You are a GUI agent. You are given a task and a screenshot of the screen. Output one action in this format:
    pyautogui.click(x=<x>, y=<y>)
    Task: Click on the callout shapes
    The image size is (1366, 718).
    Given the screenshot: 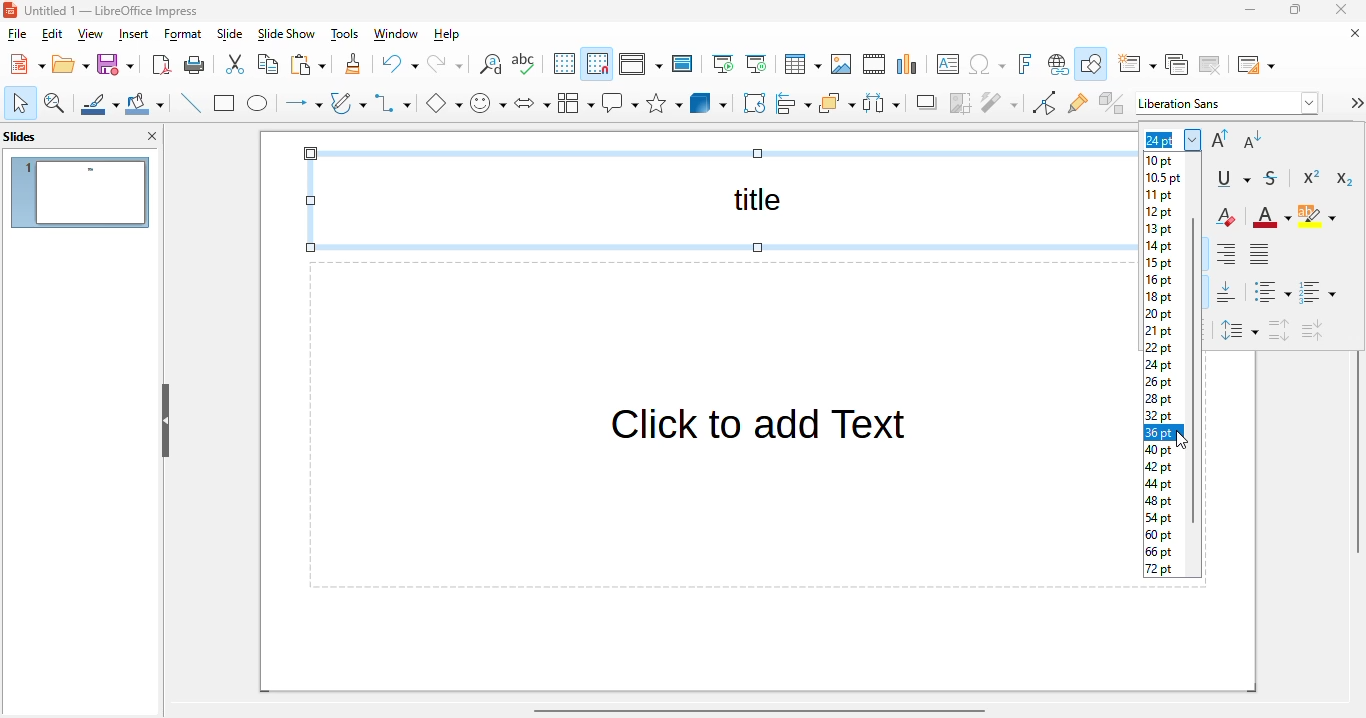 What is the action you would take?
    pyautogui.click(x=620, y=103)
    